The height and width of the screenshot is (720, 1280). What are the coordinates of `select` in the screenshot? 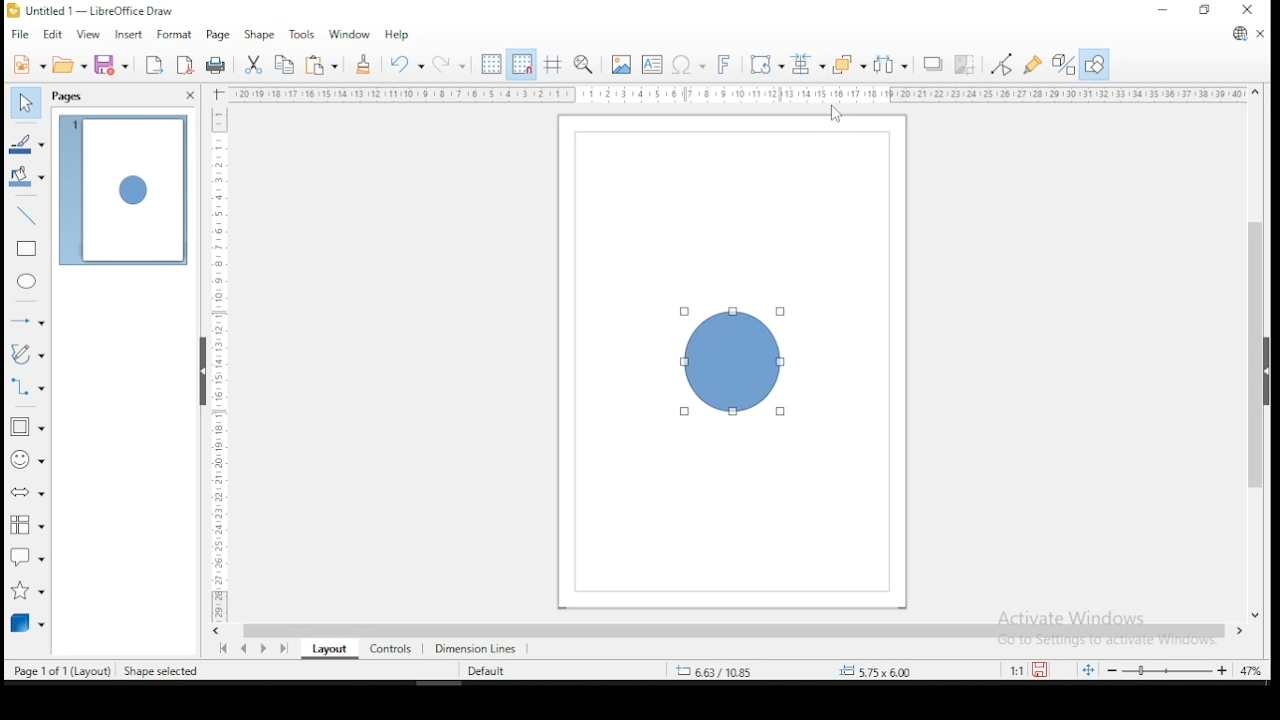 It's located at (24, 100).